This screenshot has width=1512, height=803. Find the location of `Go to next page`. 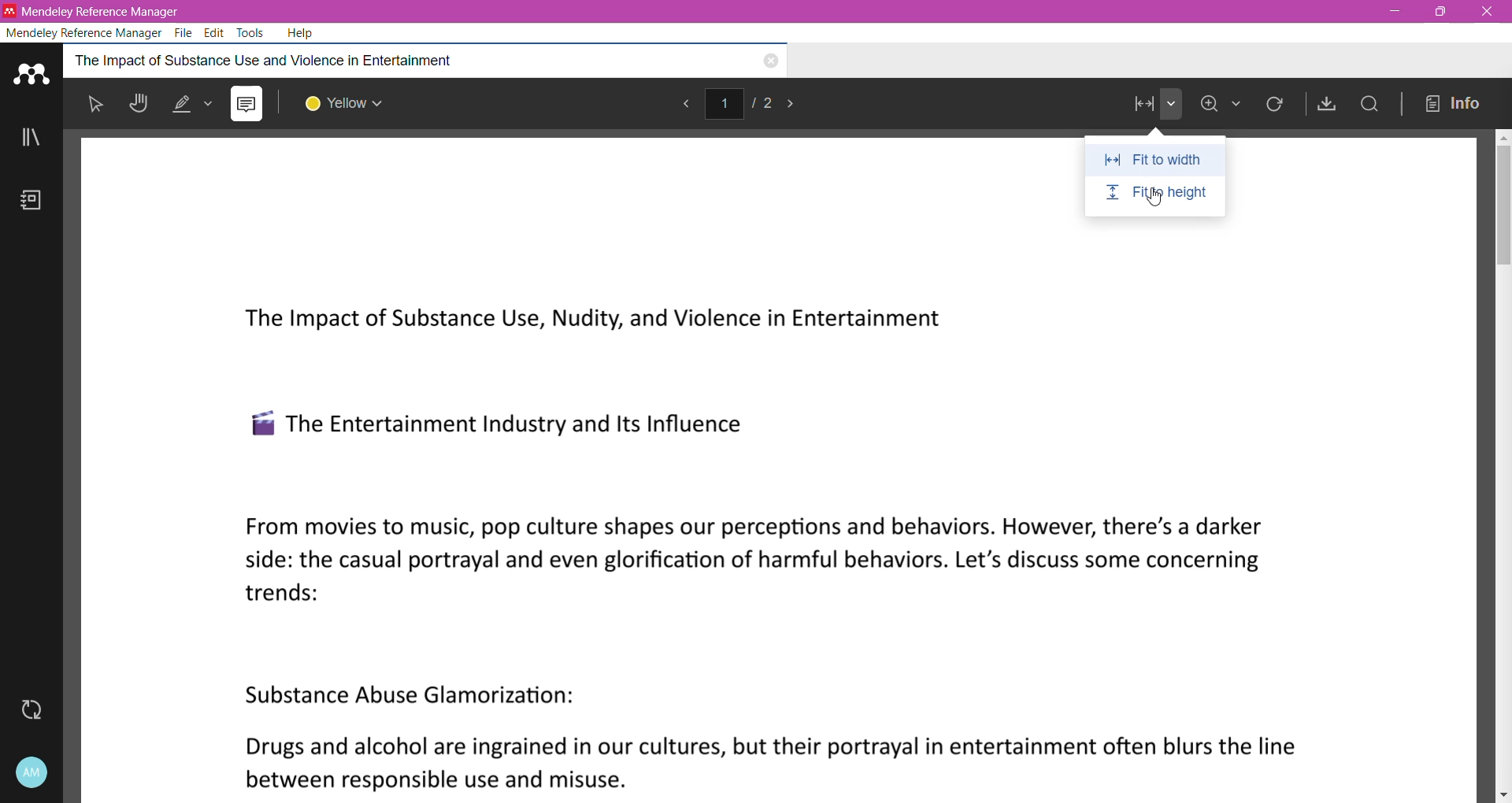

Go to next page is located at coordinates (800, 104).